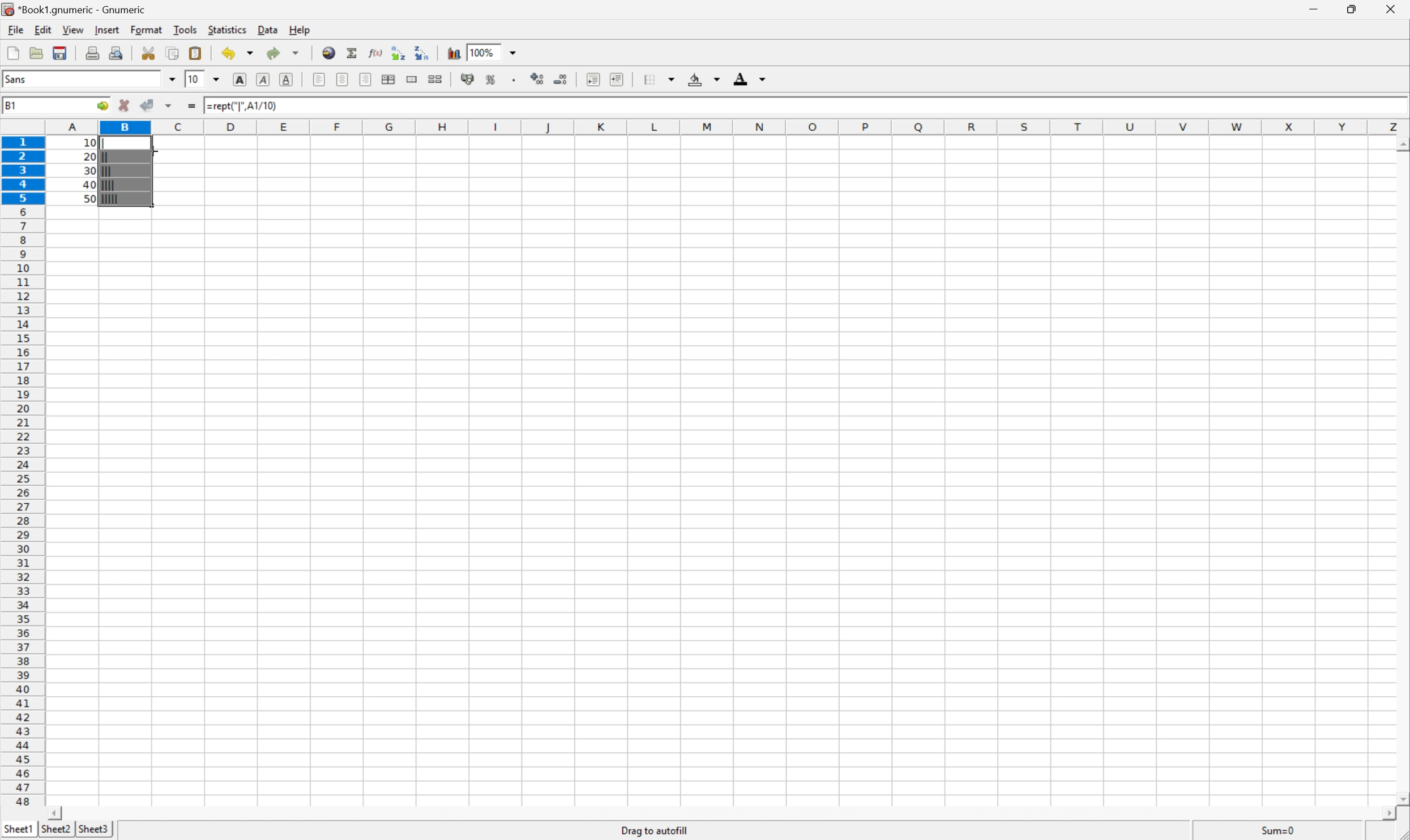 The width and height of the screenshot is (1410, 840). What do you see at coordinates (727, 127) in the screenshot?
I see `Column names` at bounding box center [727, 127].